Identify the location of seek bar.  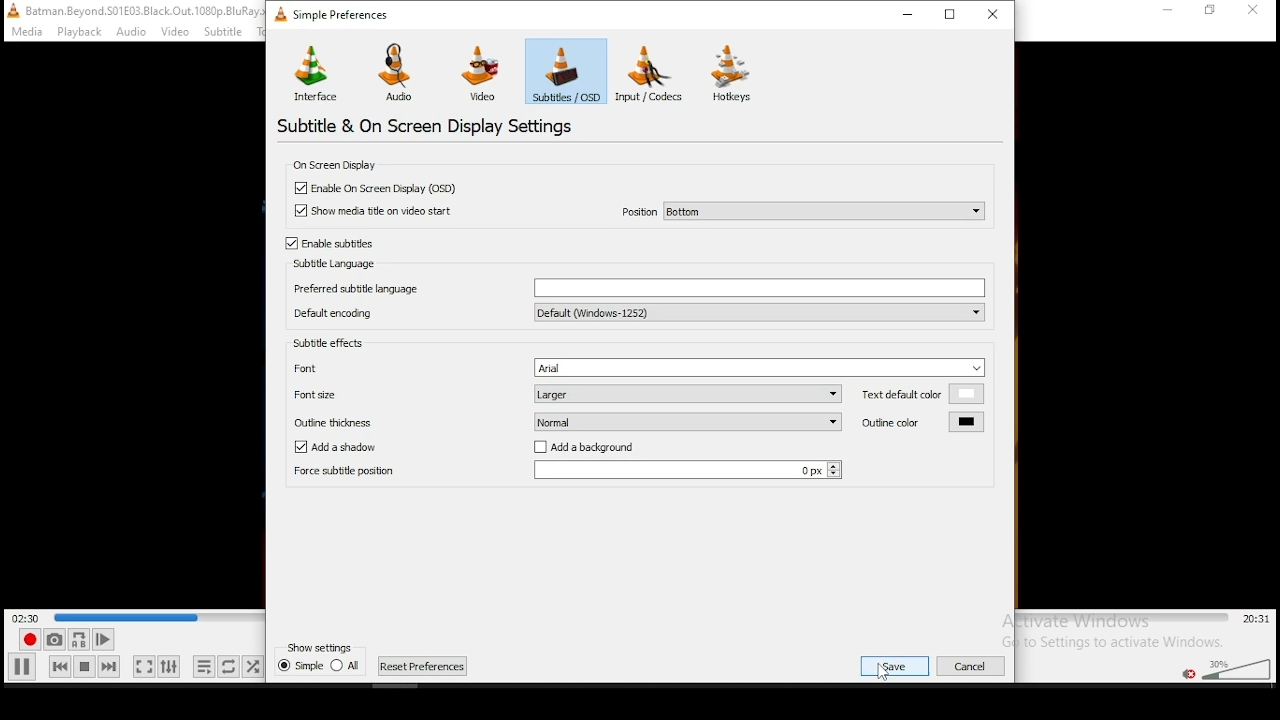
(1123, 618).